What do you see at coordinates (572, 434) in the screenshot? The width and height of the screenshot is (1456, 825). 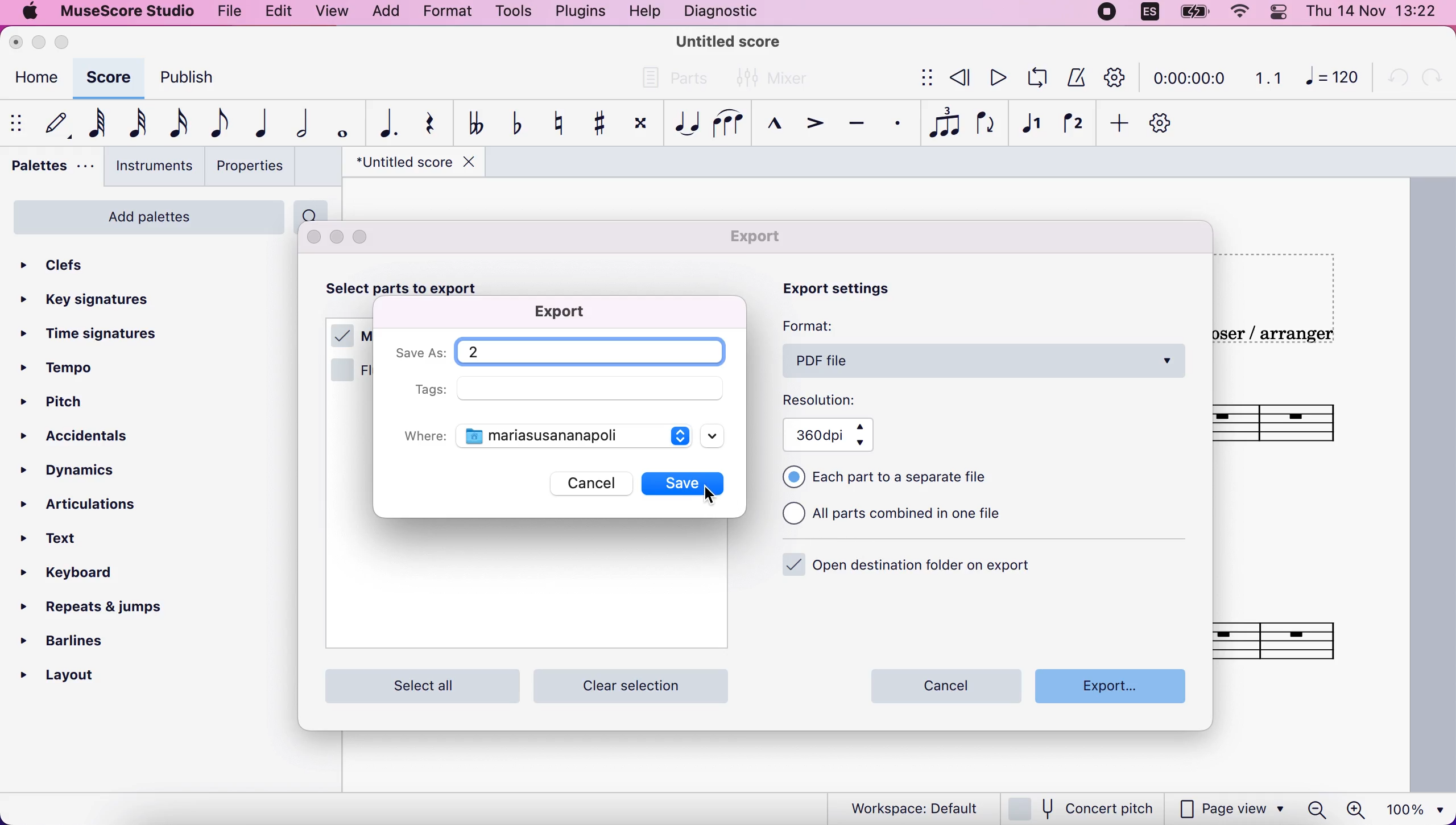 I see `documents` at bounding box center [572, 434].